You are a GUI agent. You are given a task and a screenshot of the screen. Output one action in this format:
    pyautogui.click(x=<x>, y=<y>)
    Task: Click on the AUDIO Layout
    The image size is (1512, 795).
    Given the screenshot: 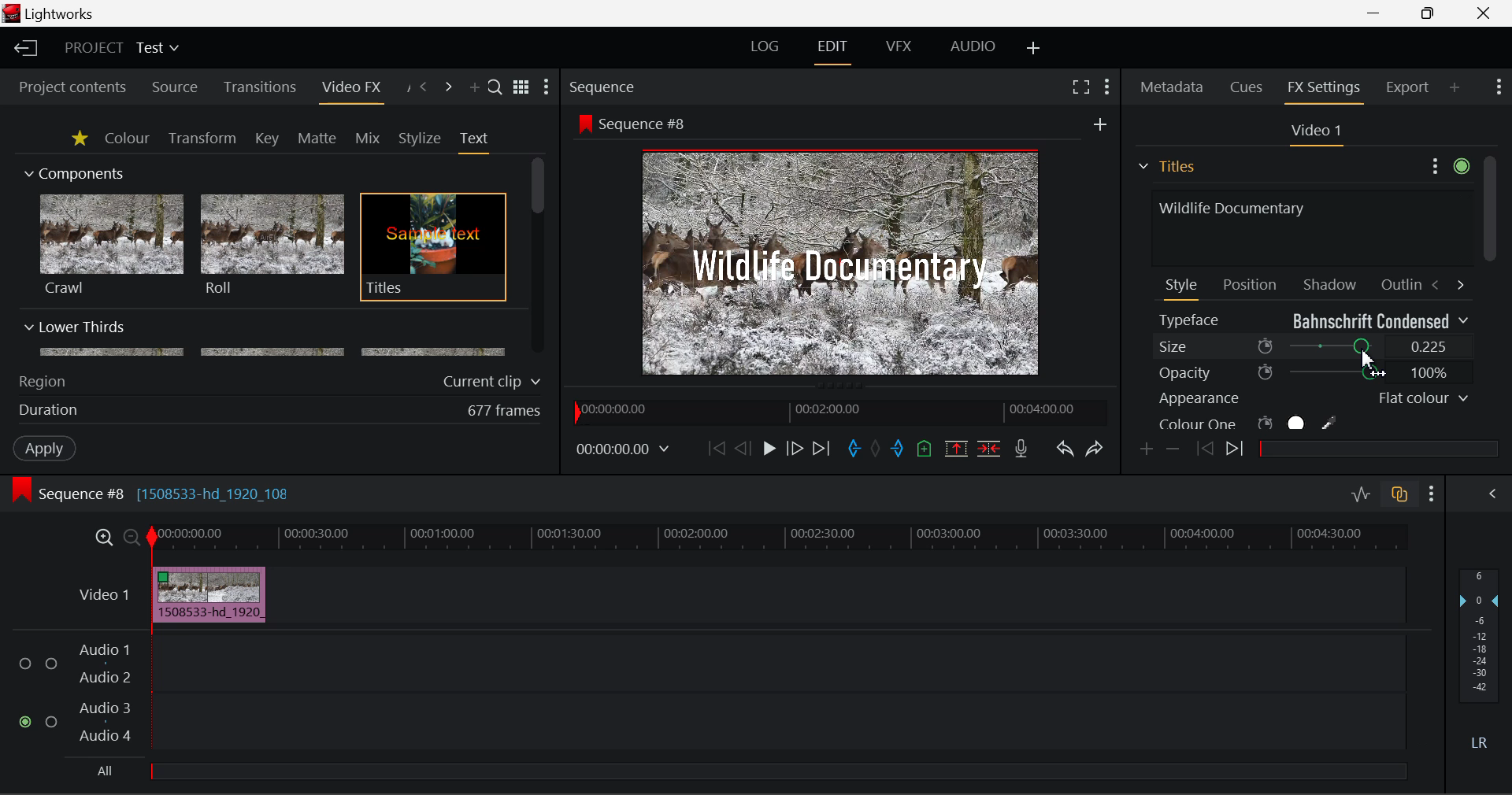 What is the action you would take?
    pyautogui.click(x=972, y=48)
    